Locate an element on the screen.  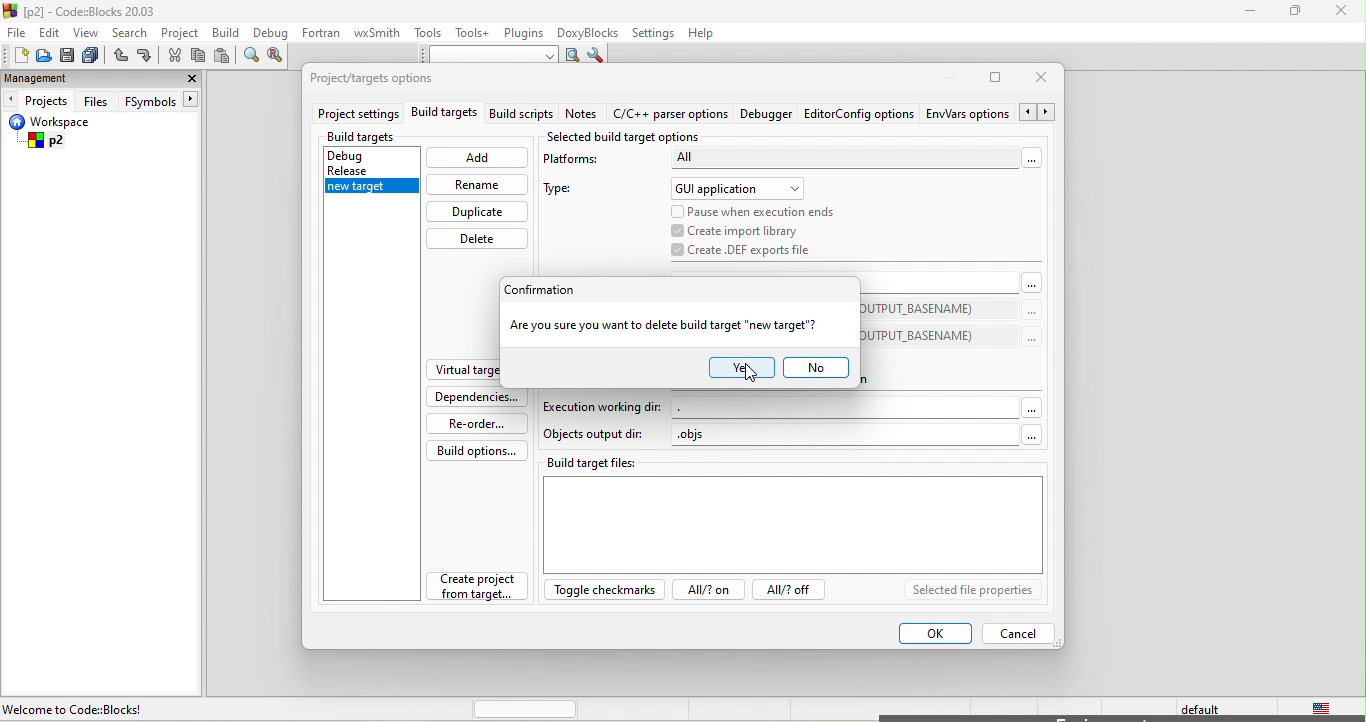
search is located at coordinates (130, 31).